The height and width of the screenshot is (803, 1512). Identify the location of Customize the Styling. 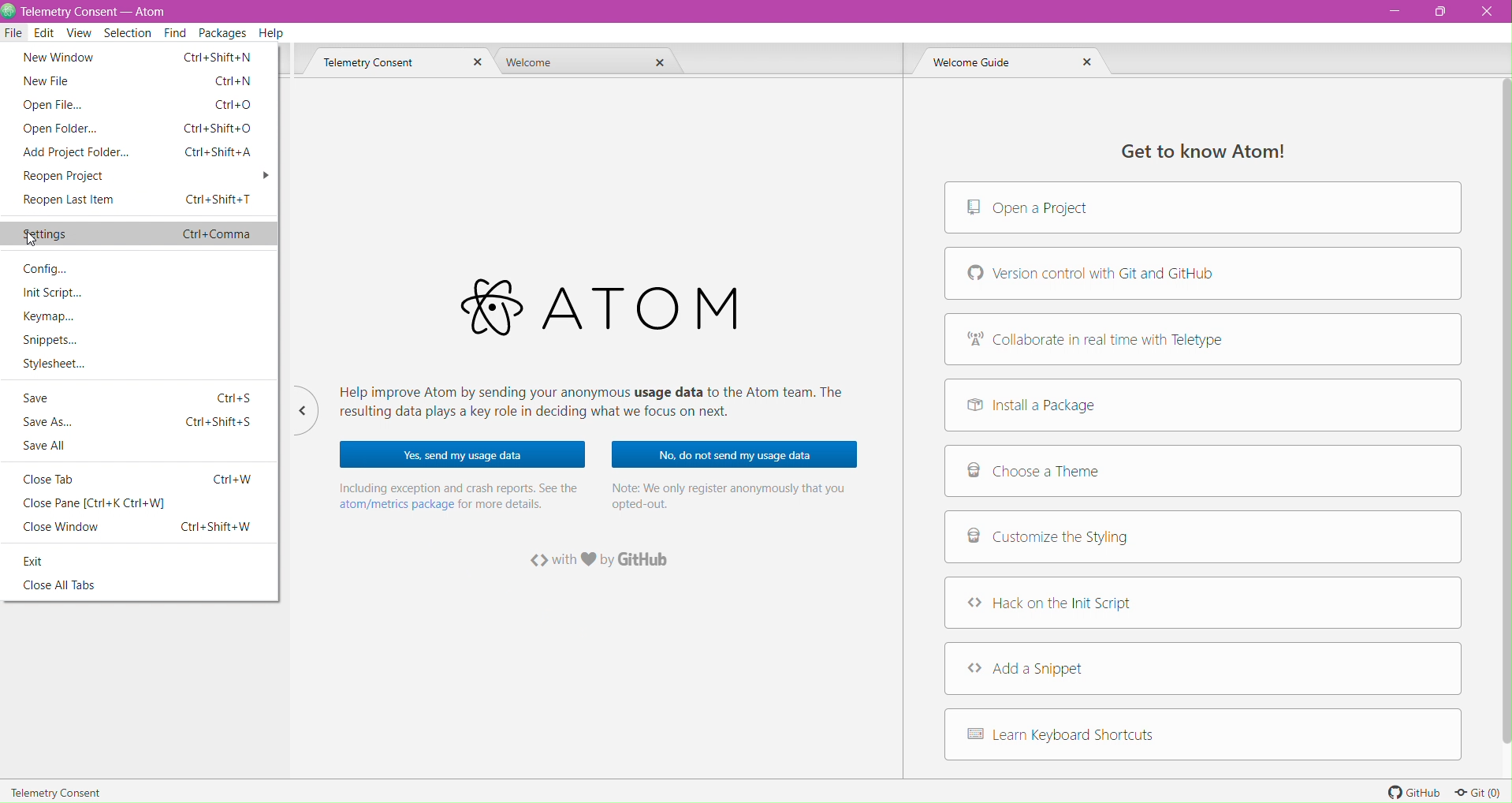
(1203, 540).